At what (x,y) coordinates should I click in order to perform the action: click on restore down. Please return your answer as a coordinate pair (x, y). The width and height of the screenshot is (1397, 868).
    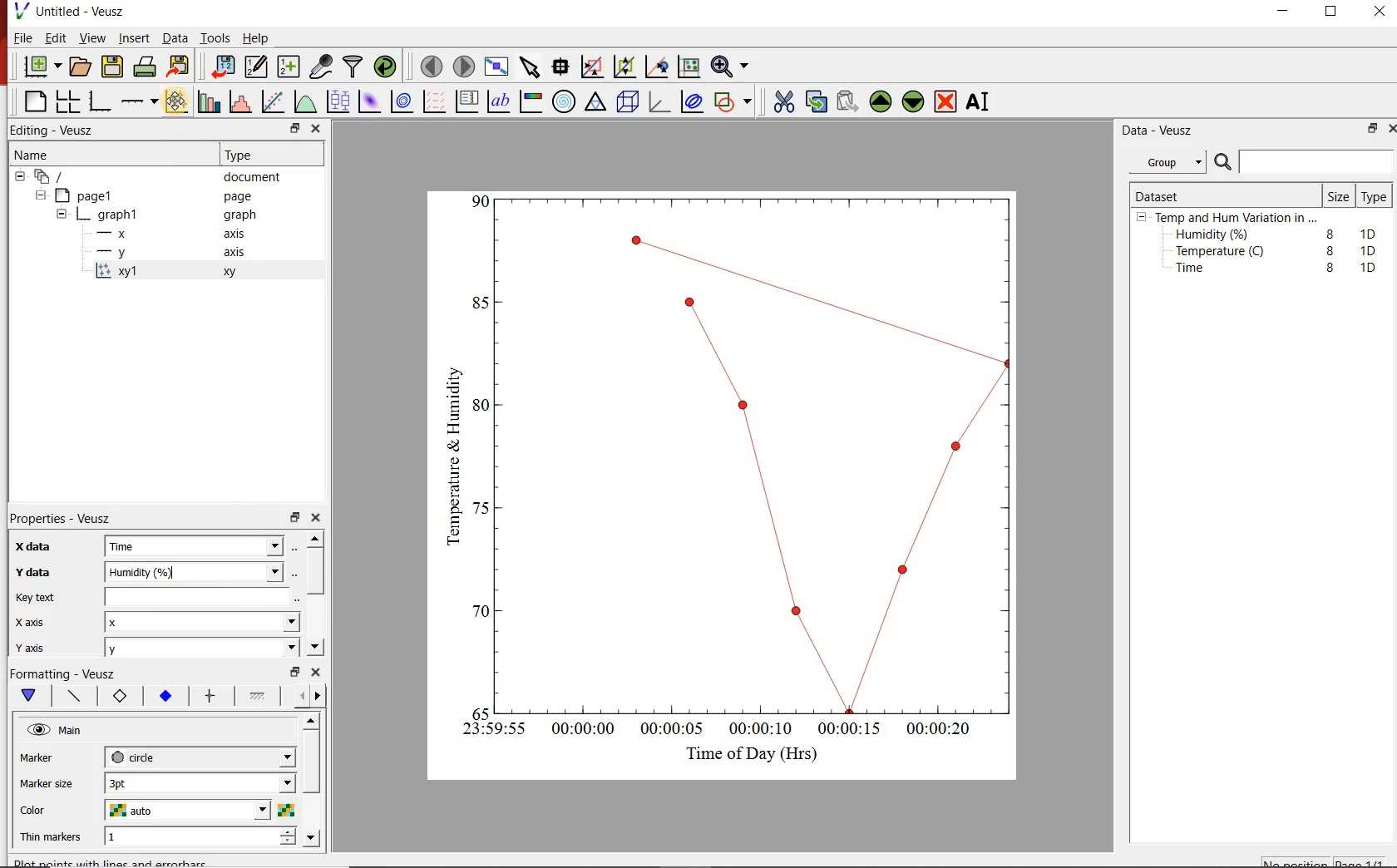
    Looking at the image, I should click on (292, 672).